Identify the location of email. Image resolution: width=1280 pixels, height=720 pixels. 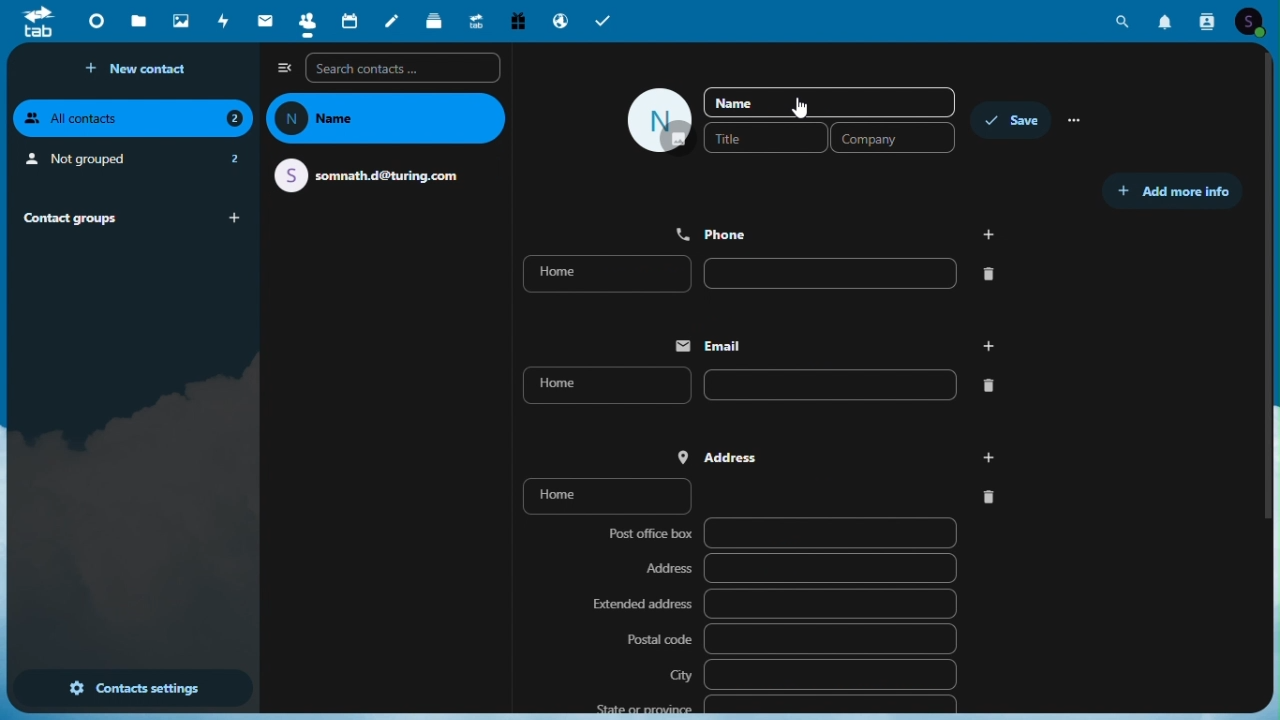
(375, 174).